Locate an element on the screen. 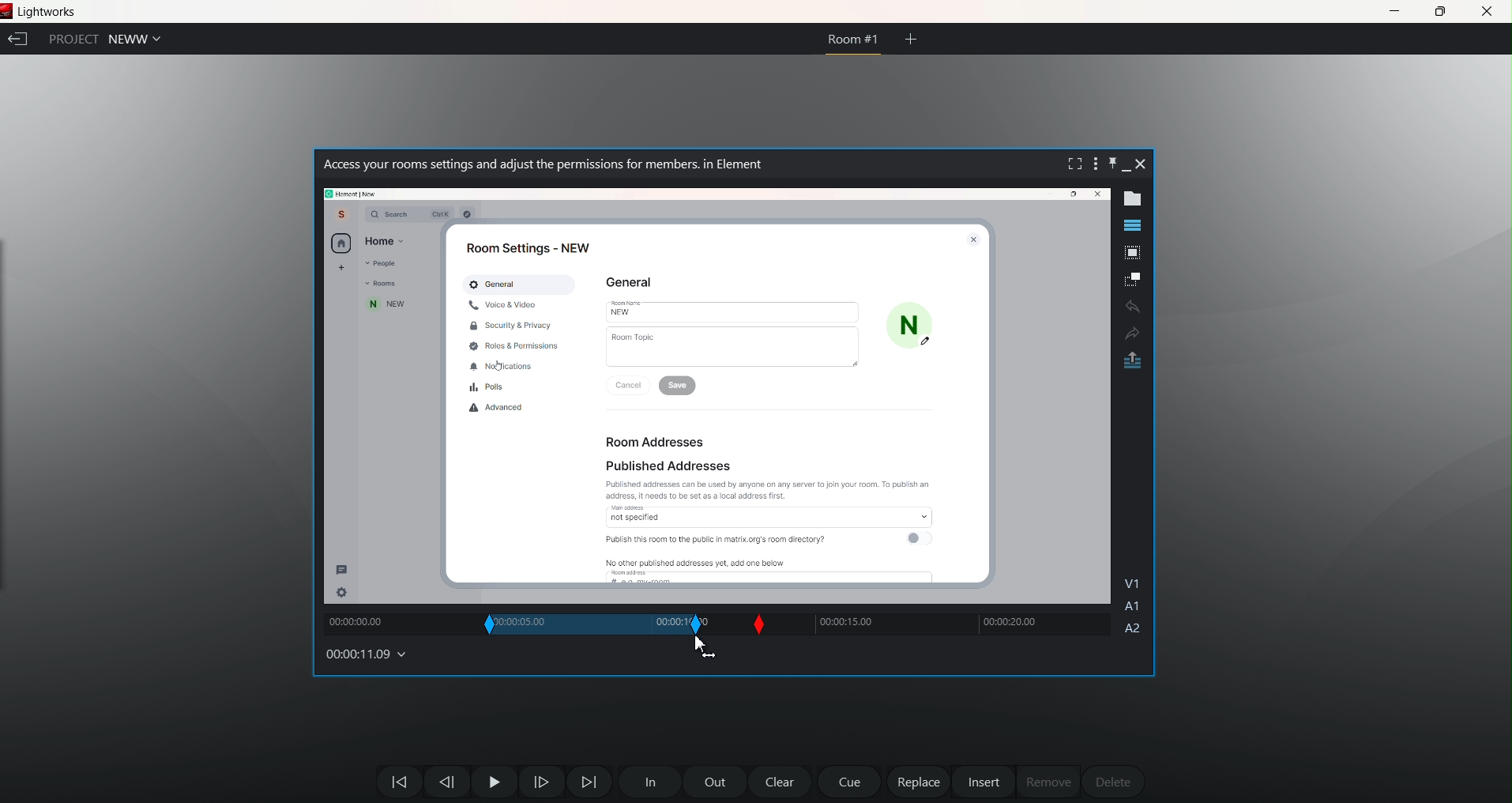  current in and out time is located at coordinates (561, 626).